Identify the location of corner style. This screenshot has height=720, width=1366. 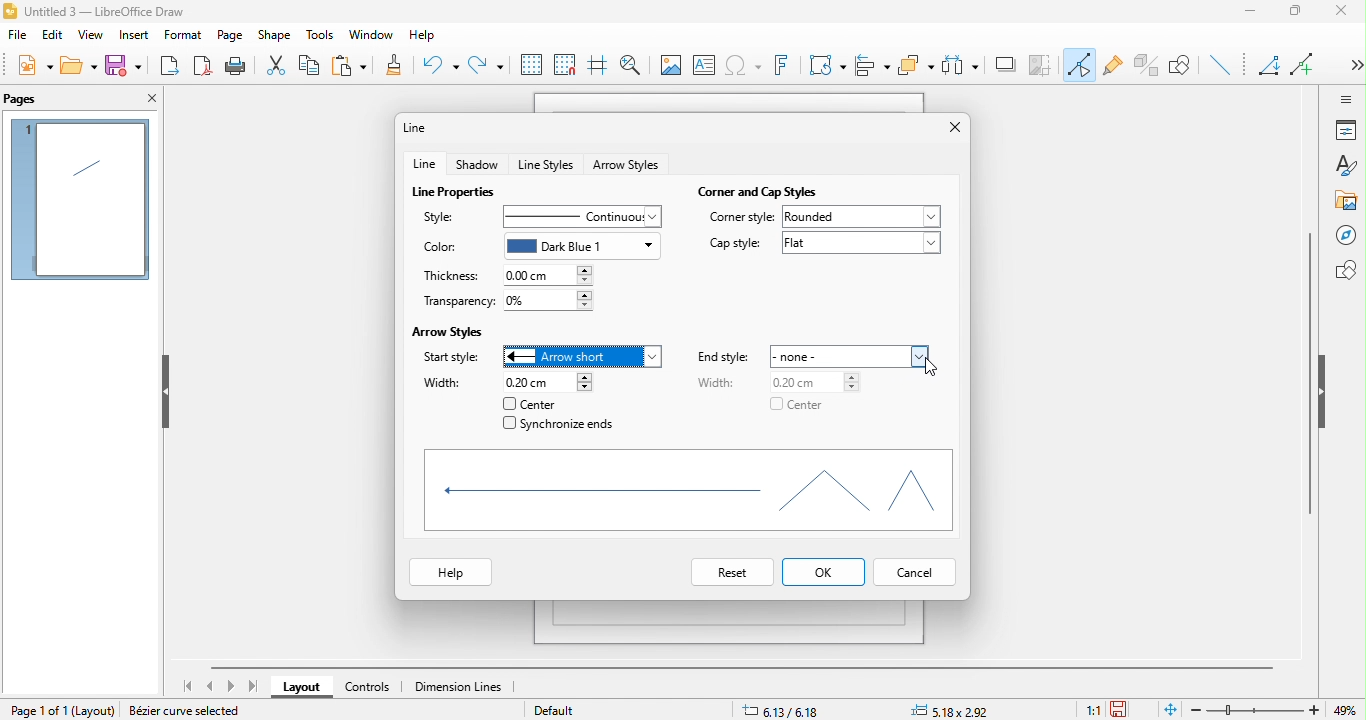
(742, 219).